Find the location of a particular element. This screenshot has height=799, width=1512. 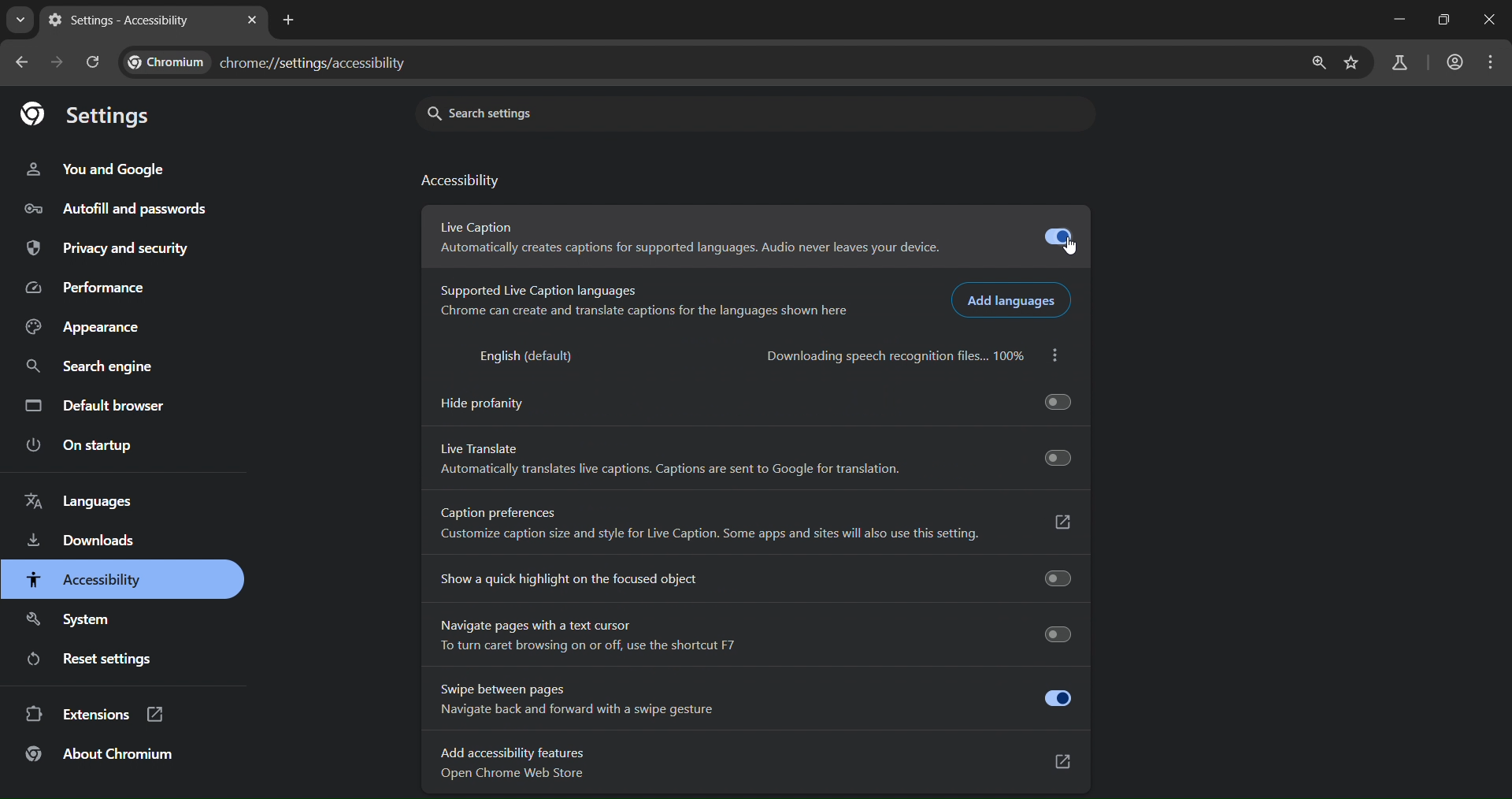

Downloading speech recognition files... 100% is located at coordinates (892, 355).